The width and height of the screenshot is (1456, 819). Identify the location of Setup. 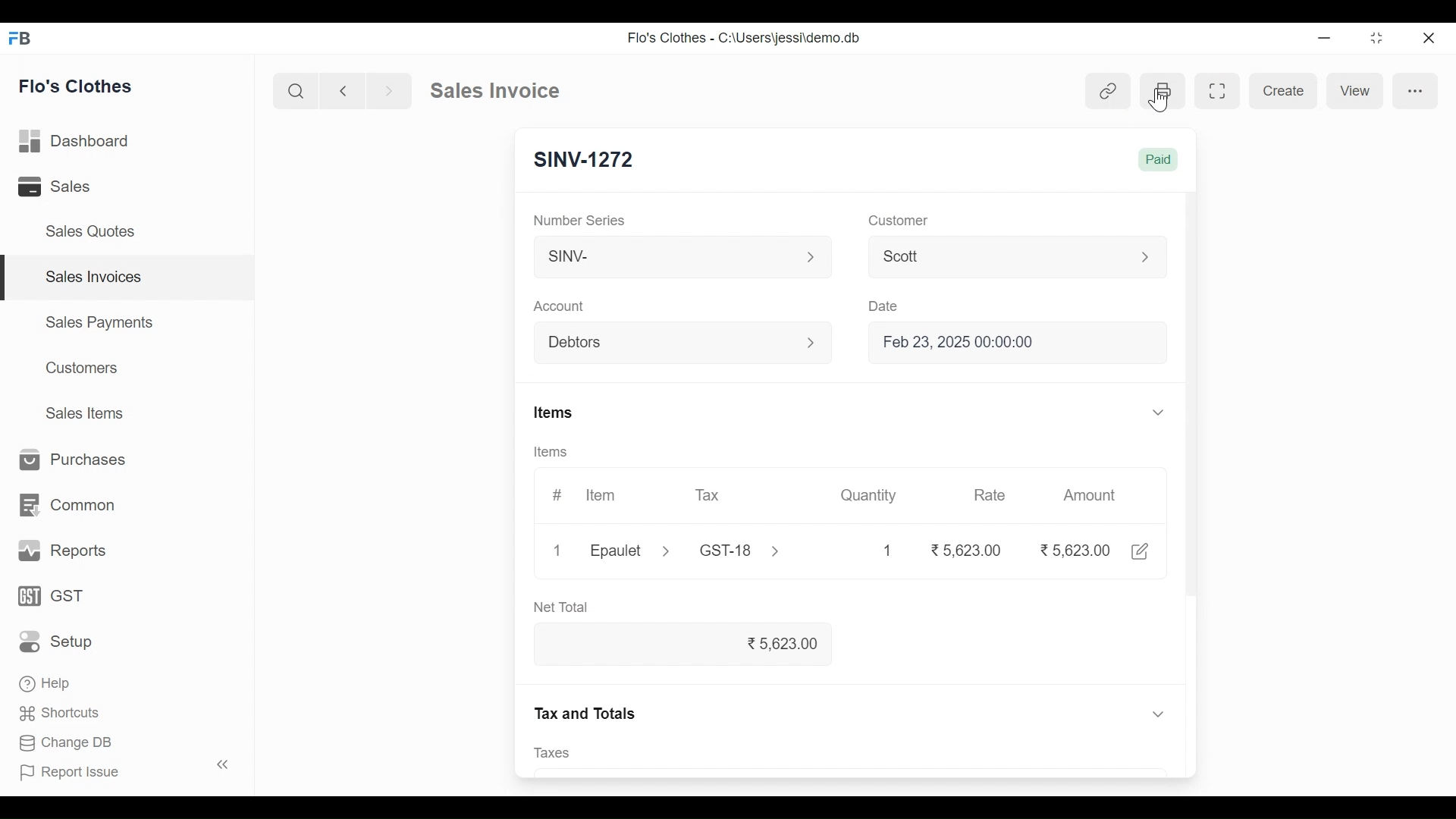
(56, 640).